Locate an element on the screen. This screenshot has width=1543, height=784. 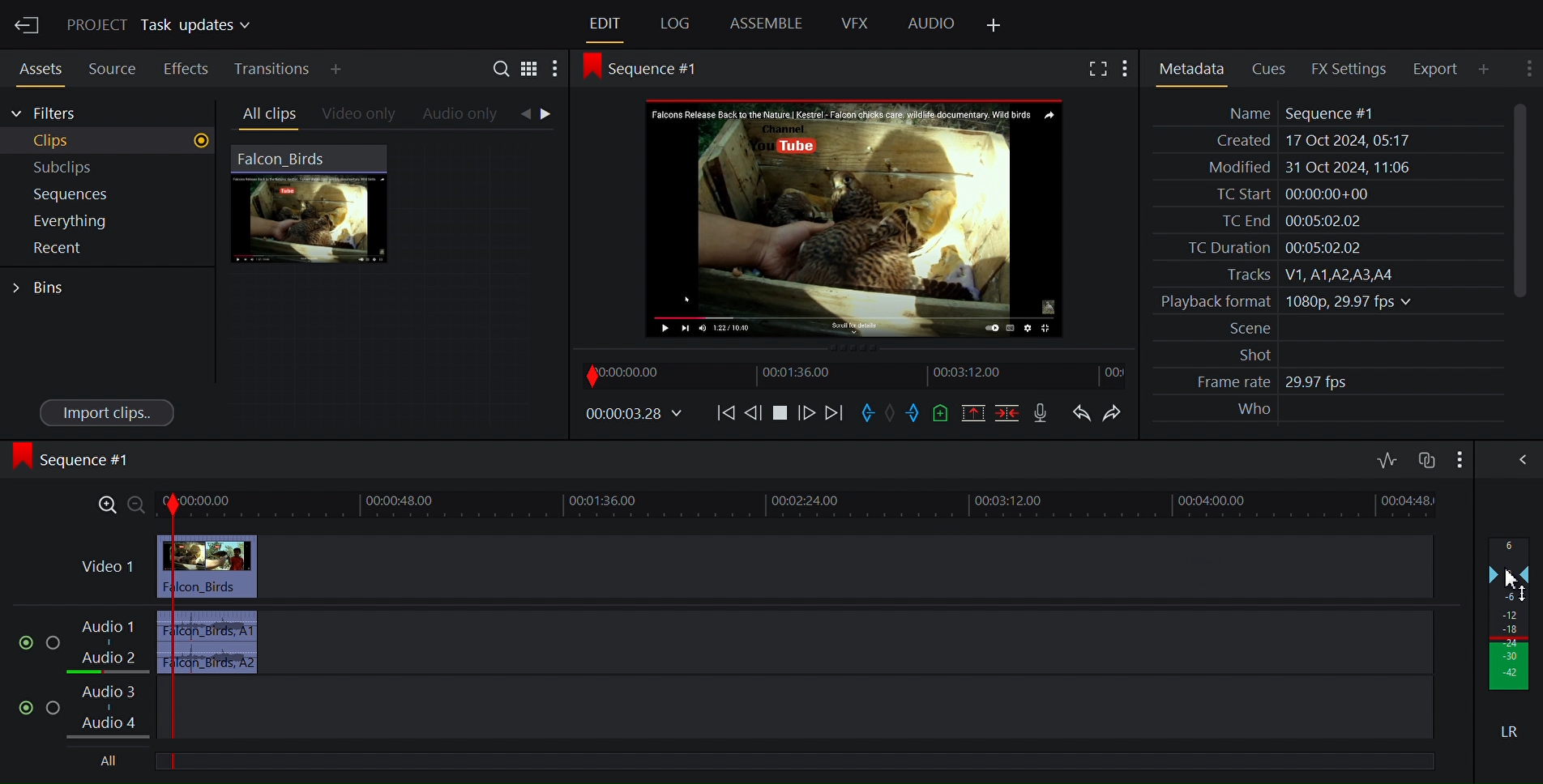
Toggle audio track sync is located at coordinates (1425, 458).